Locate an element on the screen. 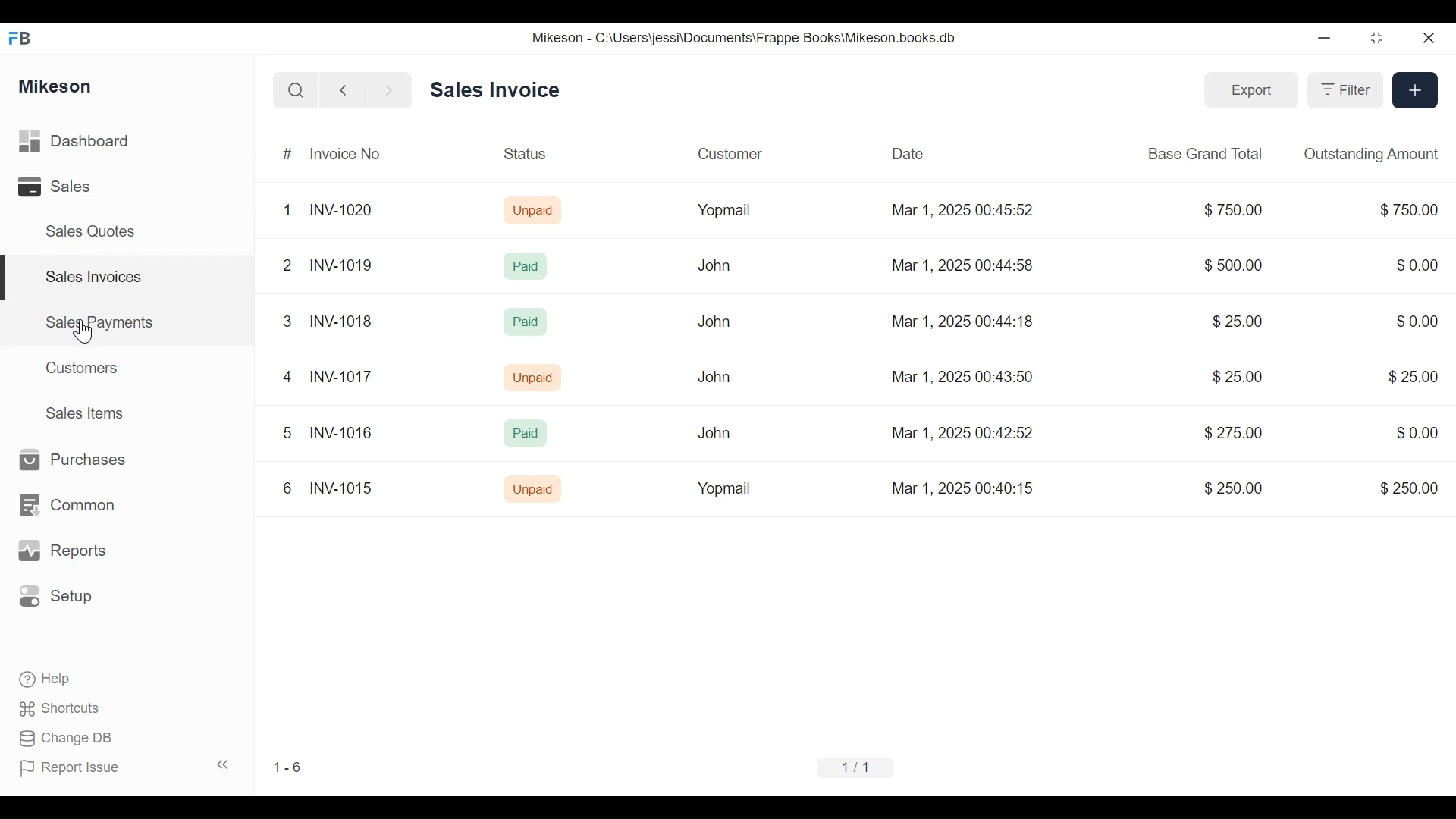  John is located at coordinates (711, 268).